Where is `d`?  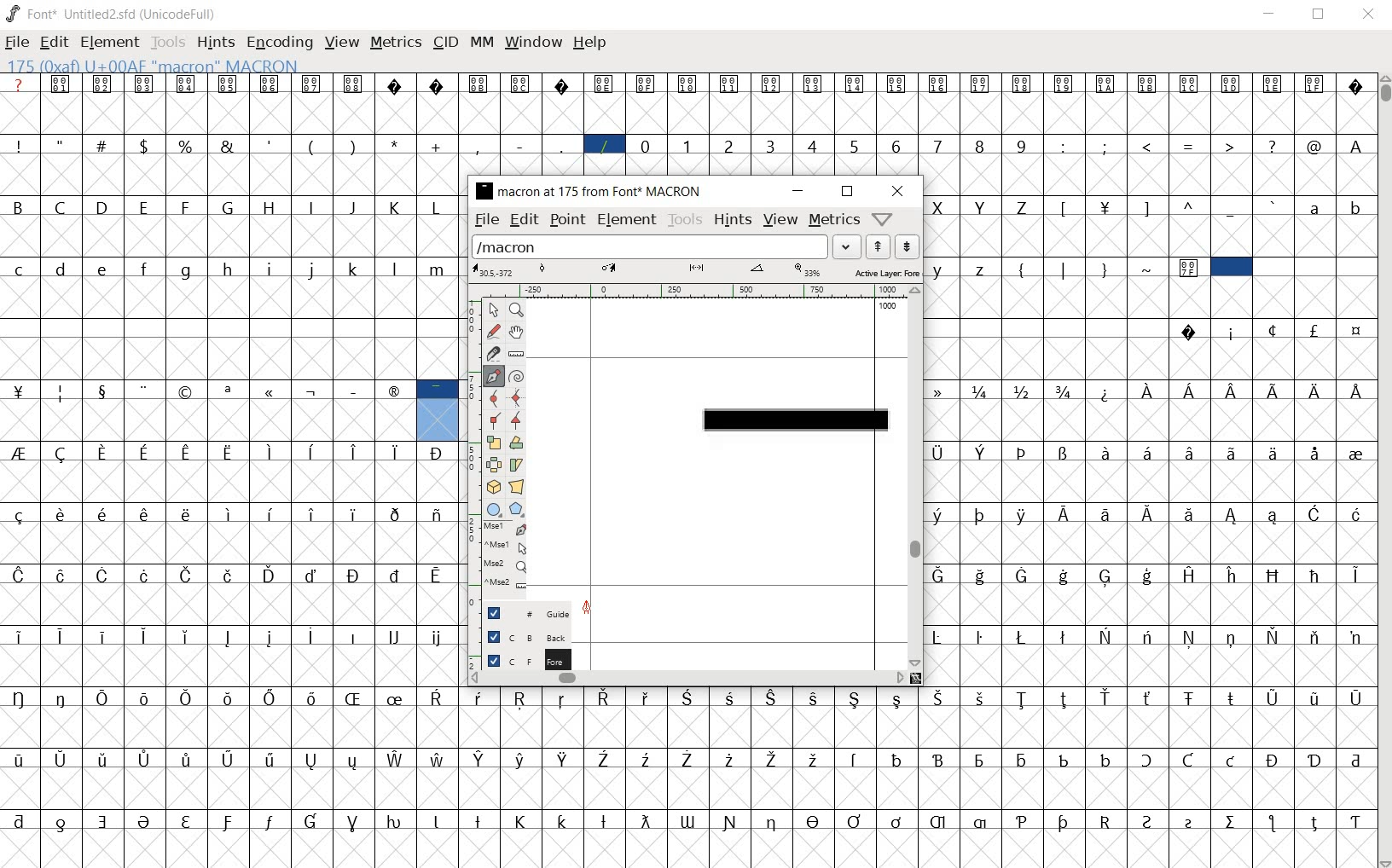
d is located at coordinates (61, 268).